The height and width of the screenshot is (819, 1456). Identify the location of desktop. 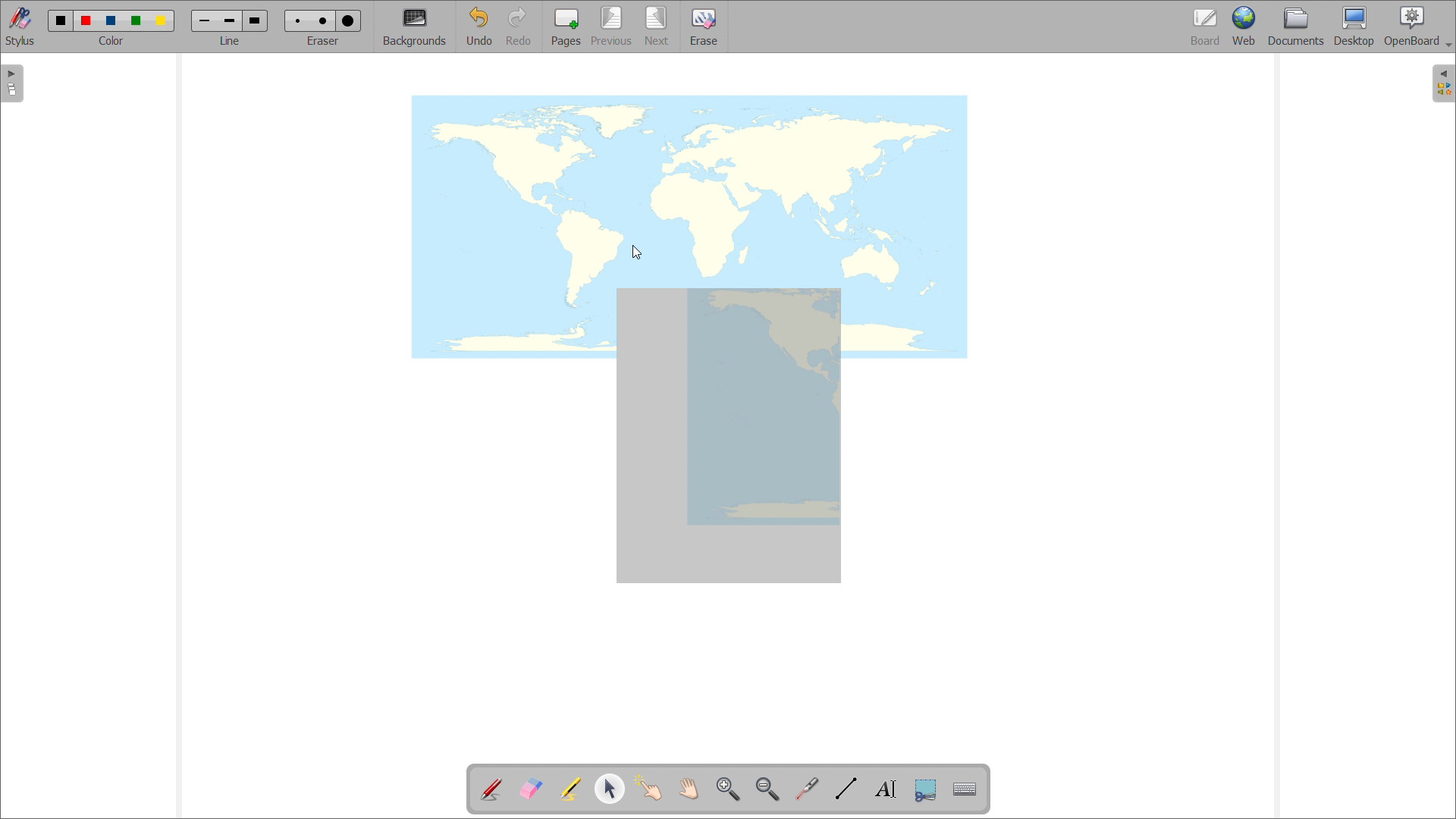
(1354, 26).